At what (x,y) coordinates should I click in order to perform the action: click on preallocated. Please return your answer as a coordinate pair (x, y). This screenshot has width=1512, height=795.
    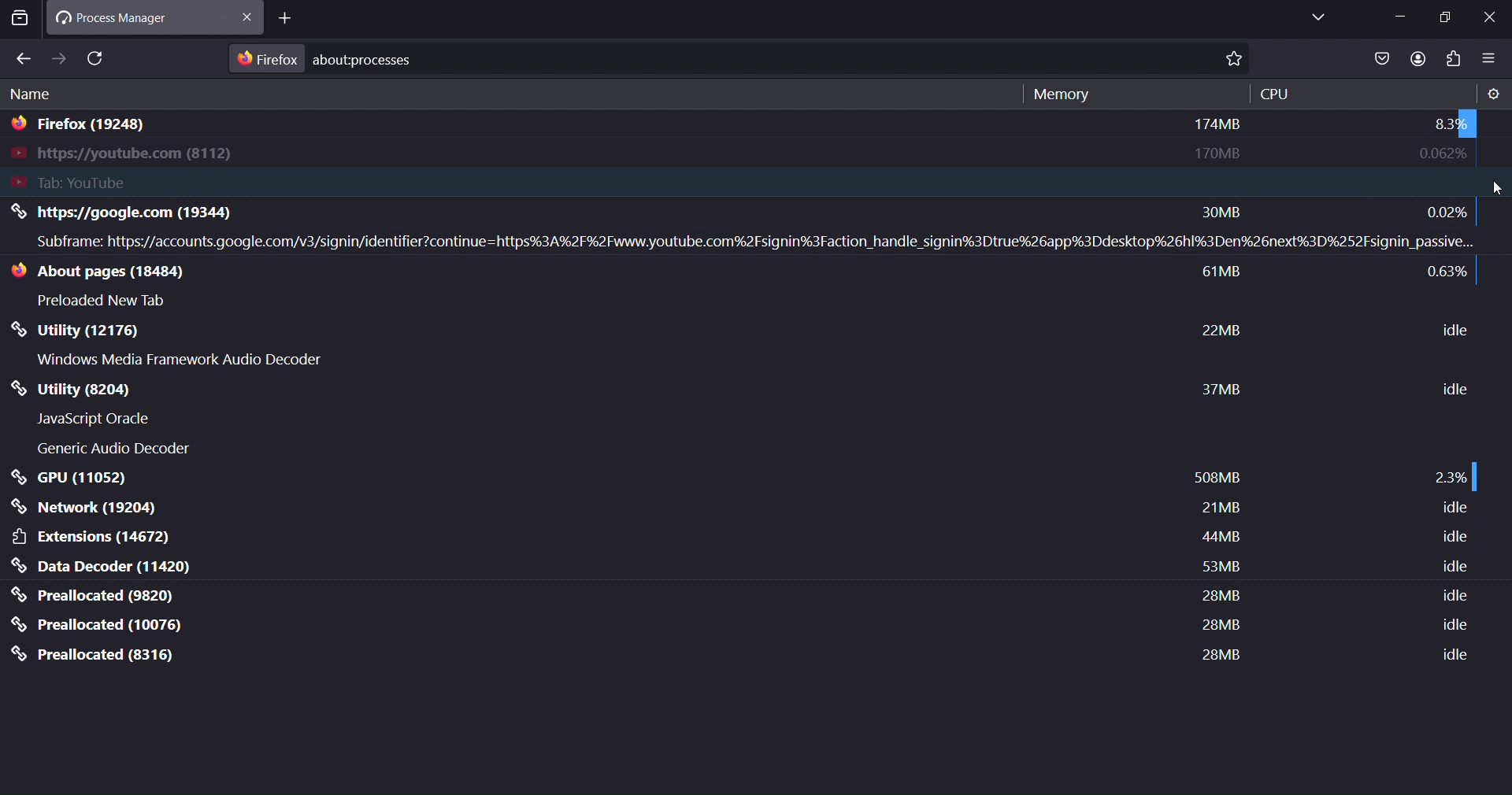
    Looking at the image, I should click on (100, 595).